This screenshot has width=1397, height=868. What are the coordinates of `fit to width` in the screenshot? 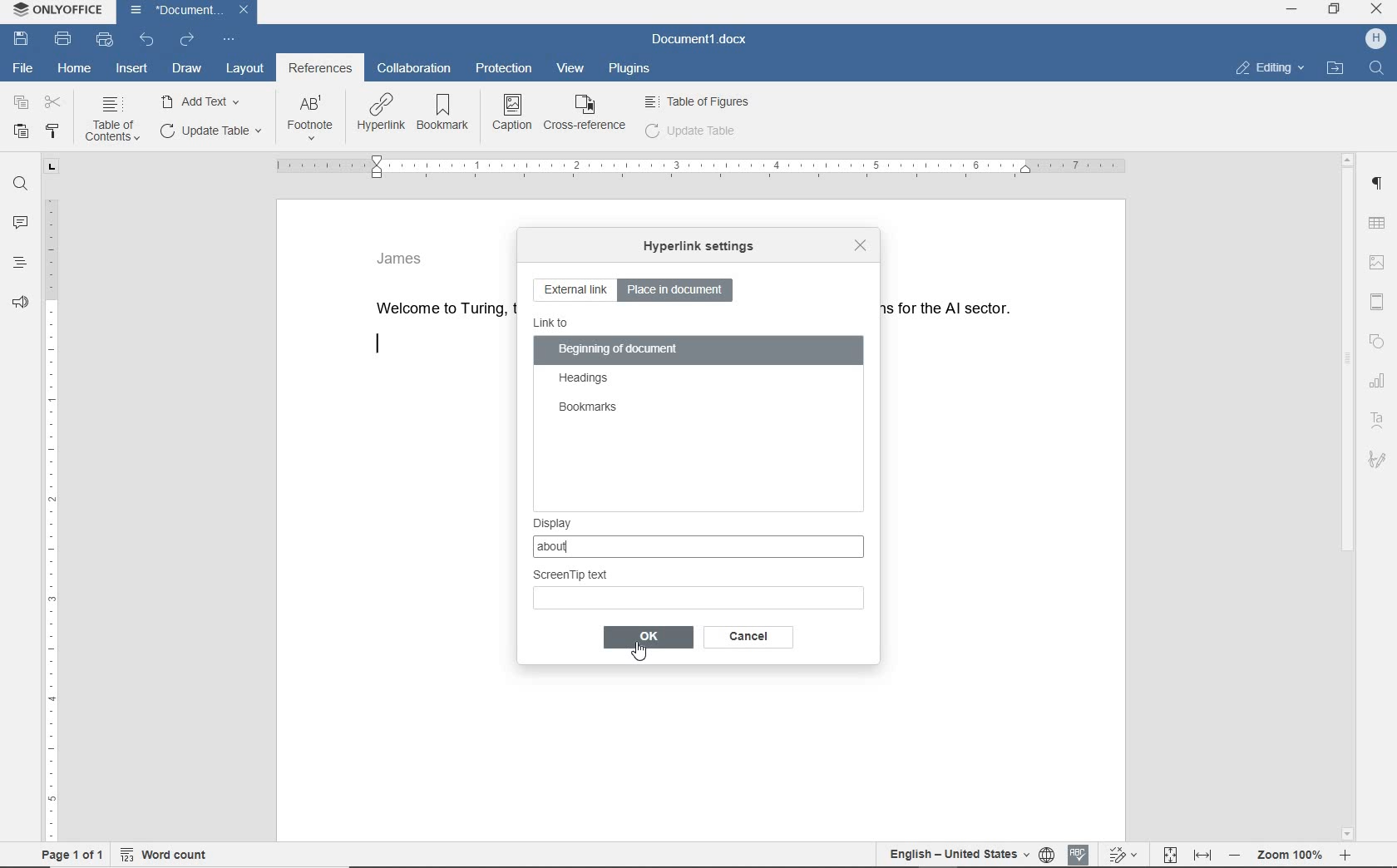 It's located at (1202, 854).